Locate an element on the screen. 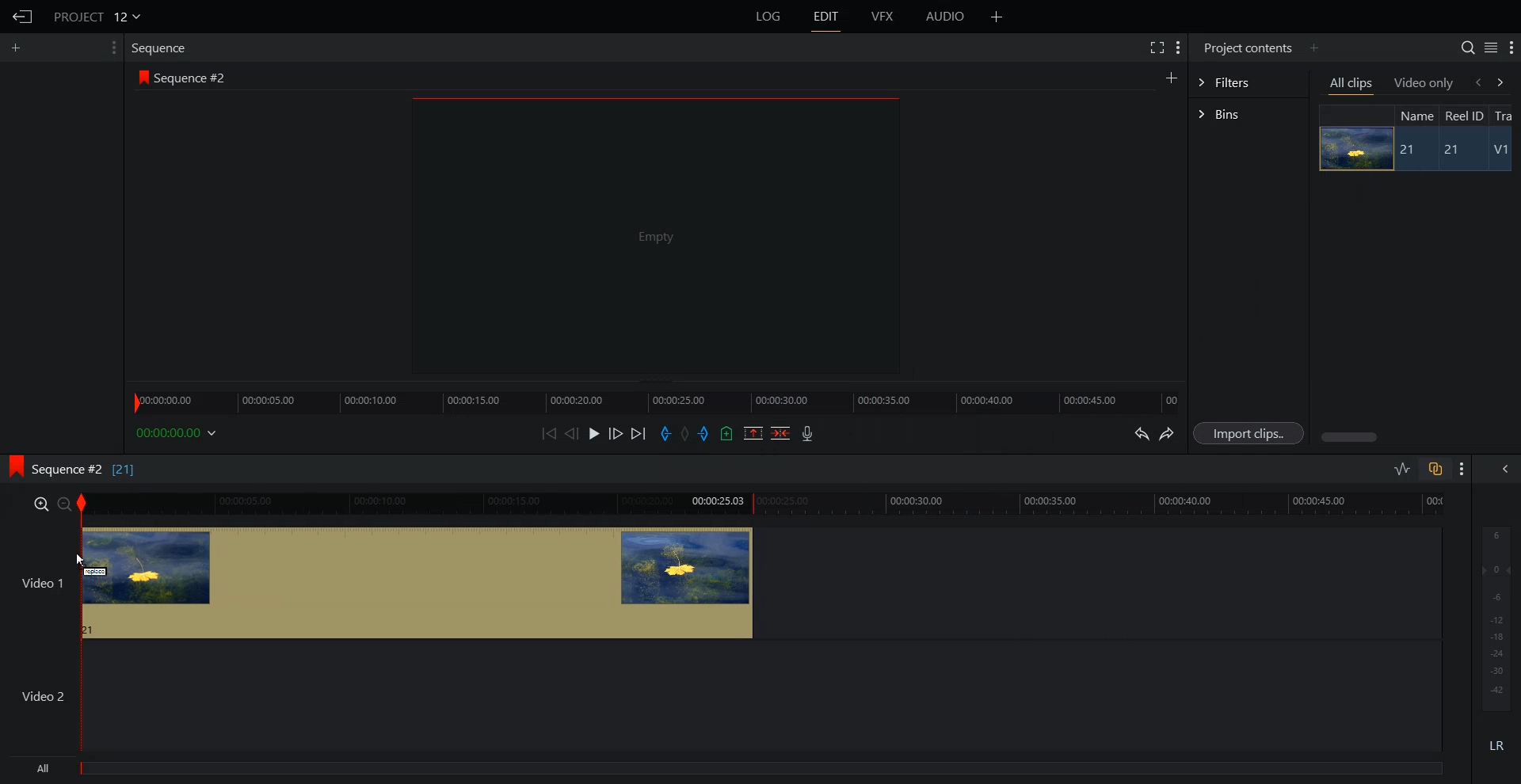  Undo is located at coordinates (1139, 434).